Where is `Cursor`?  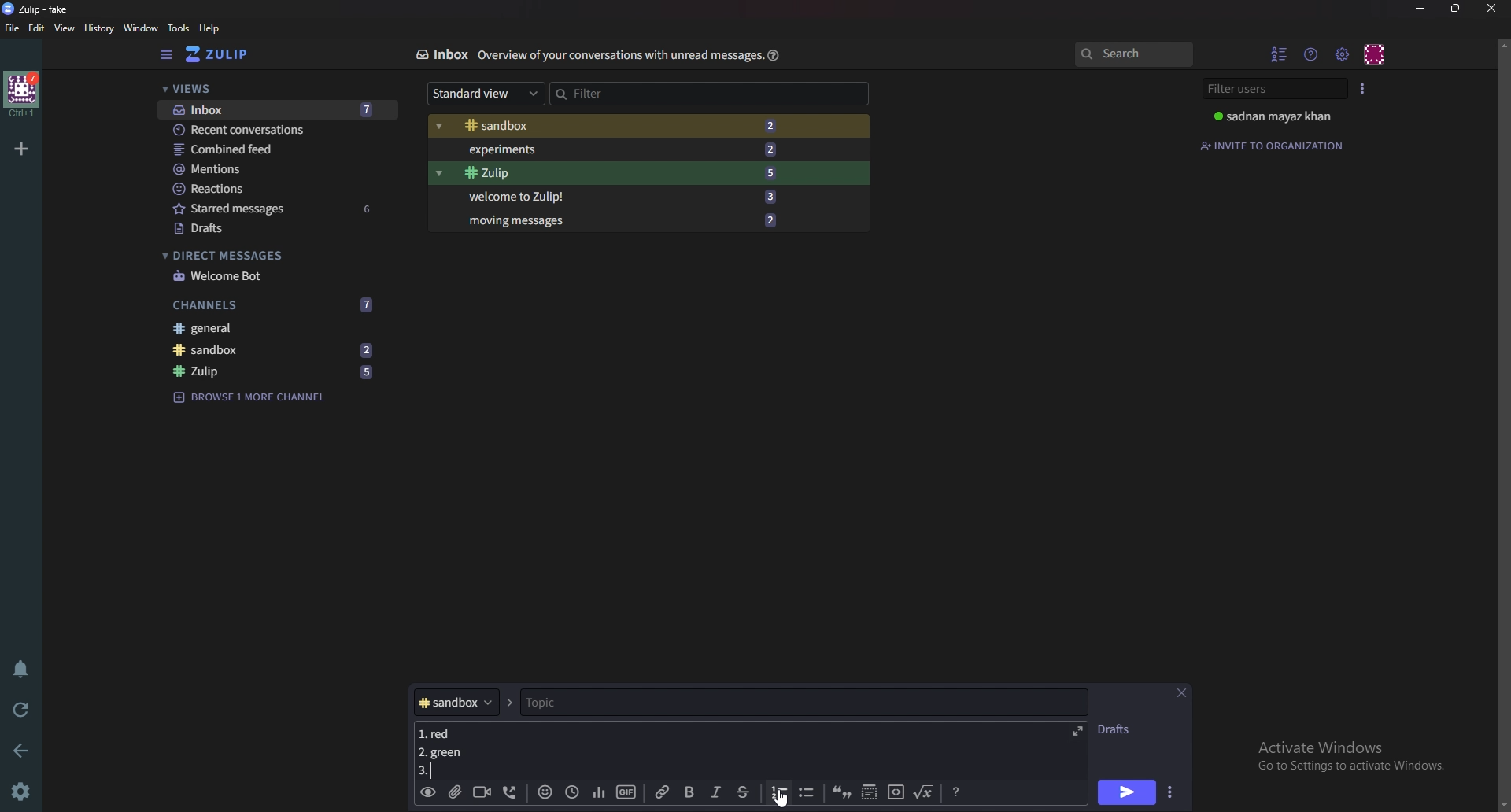 Cursor is located at coordinates (784, 799).